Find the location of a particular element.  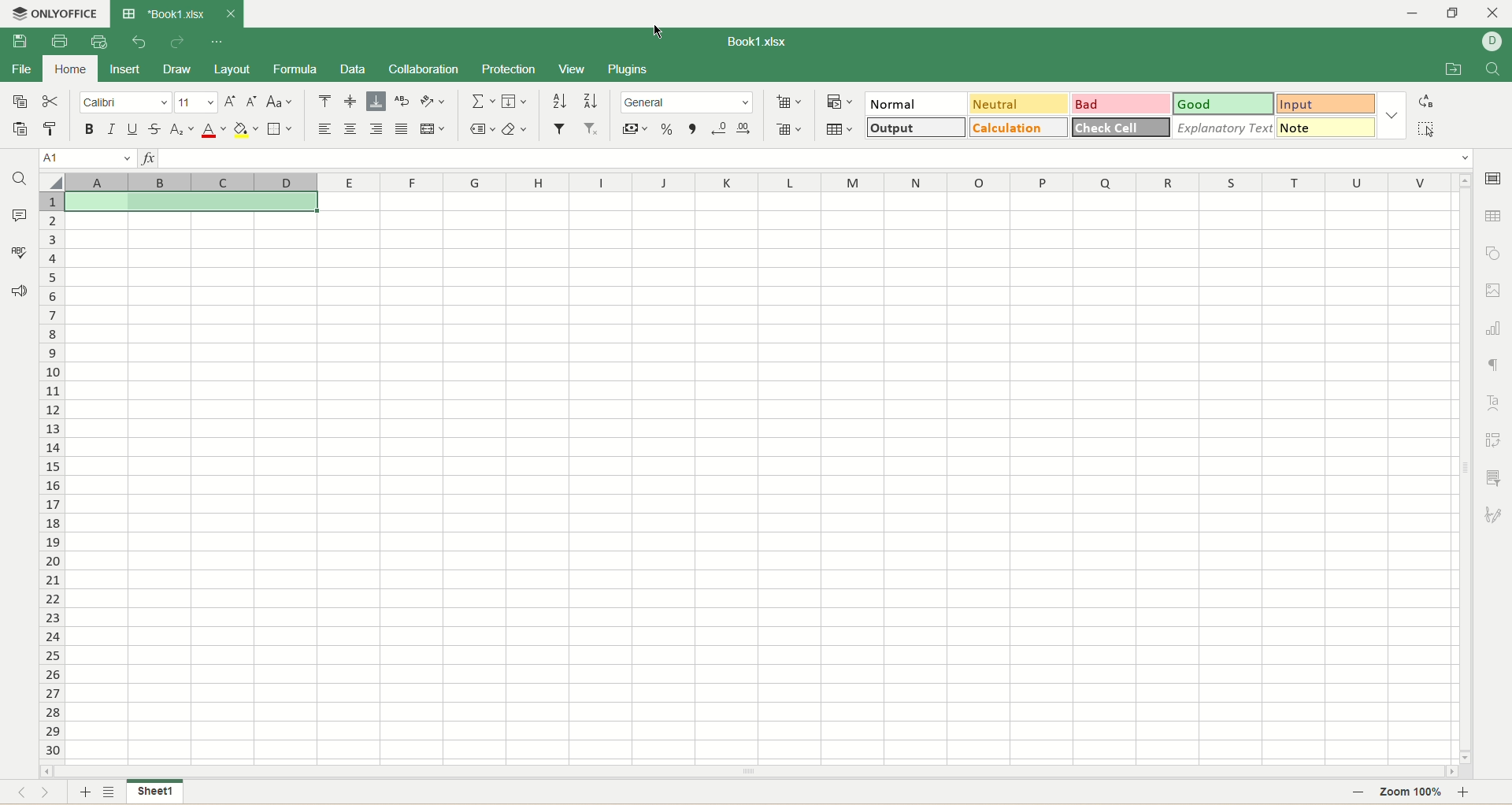

align center is located at coordinates (350, 131).